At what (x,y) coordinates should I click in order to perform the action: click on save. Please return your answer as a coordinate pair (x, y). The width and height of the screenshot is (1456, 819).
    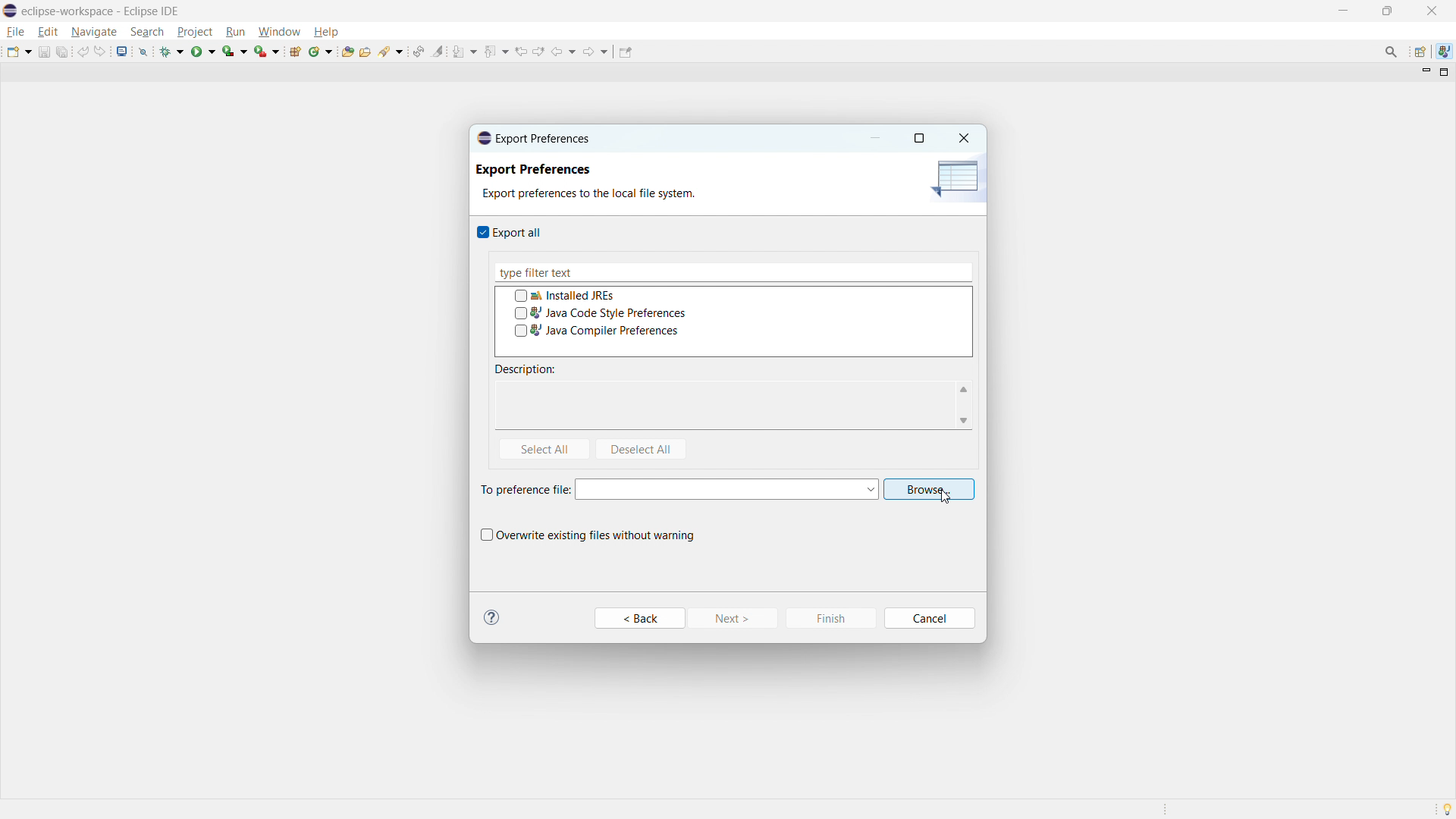
    Looking at the image, I should click on (43, 52).